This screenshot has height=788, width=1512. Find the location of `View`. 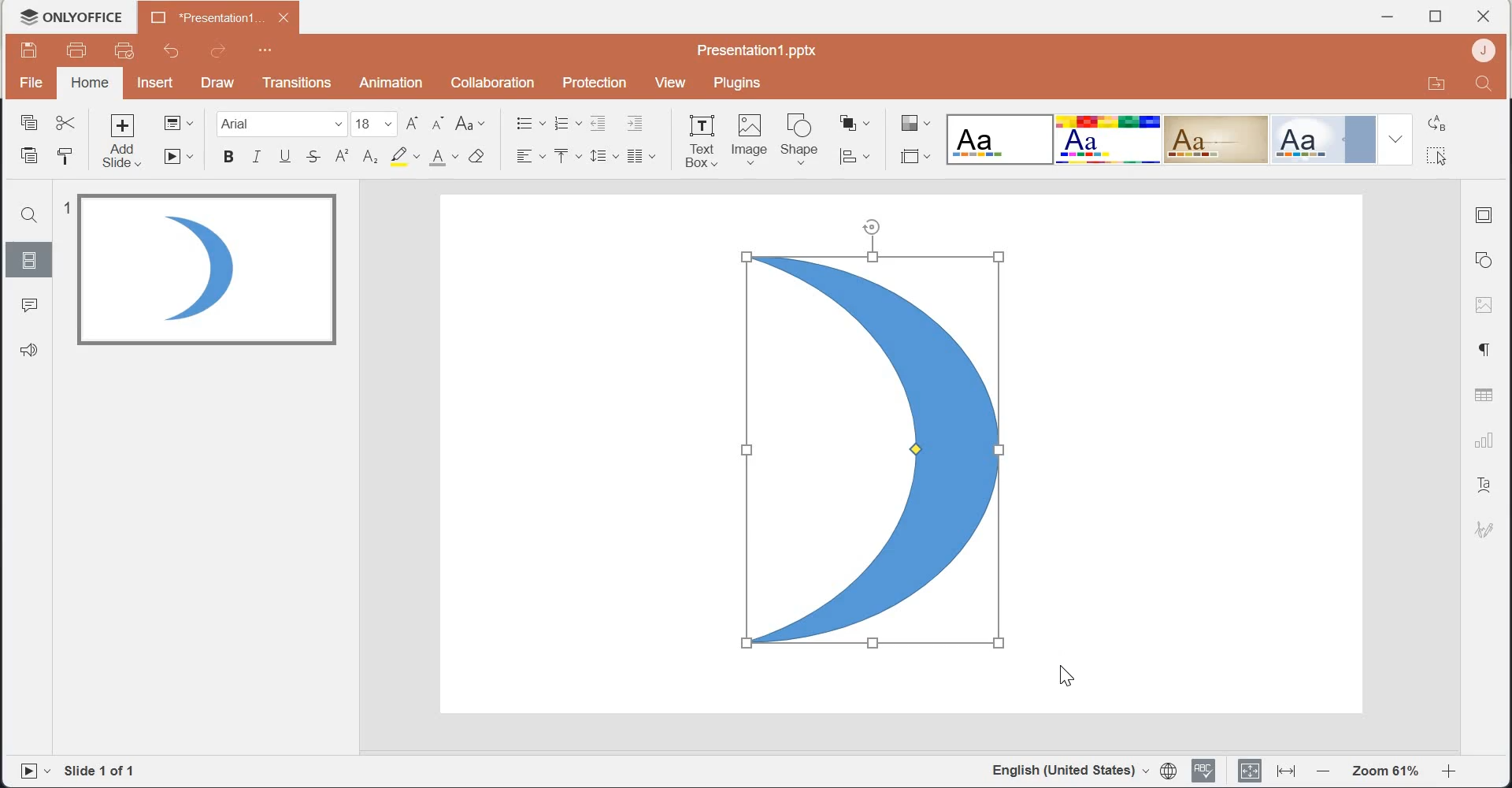

View is located at coordinates (671, 84).